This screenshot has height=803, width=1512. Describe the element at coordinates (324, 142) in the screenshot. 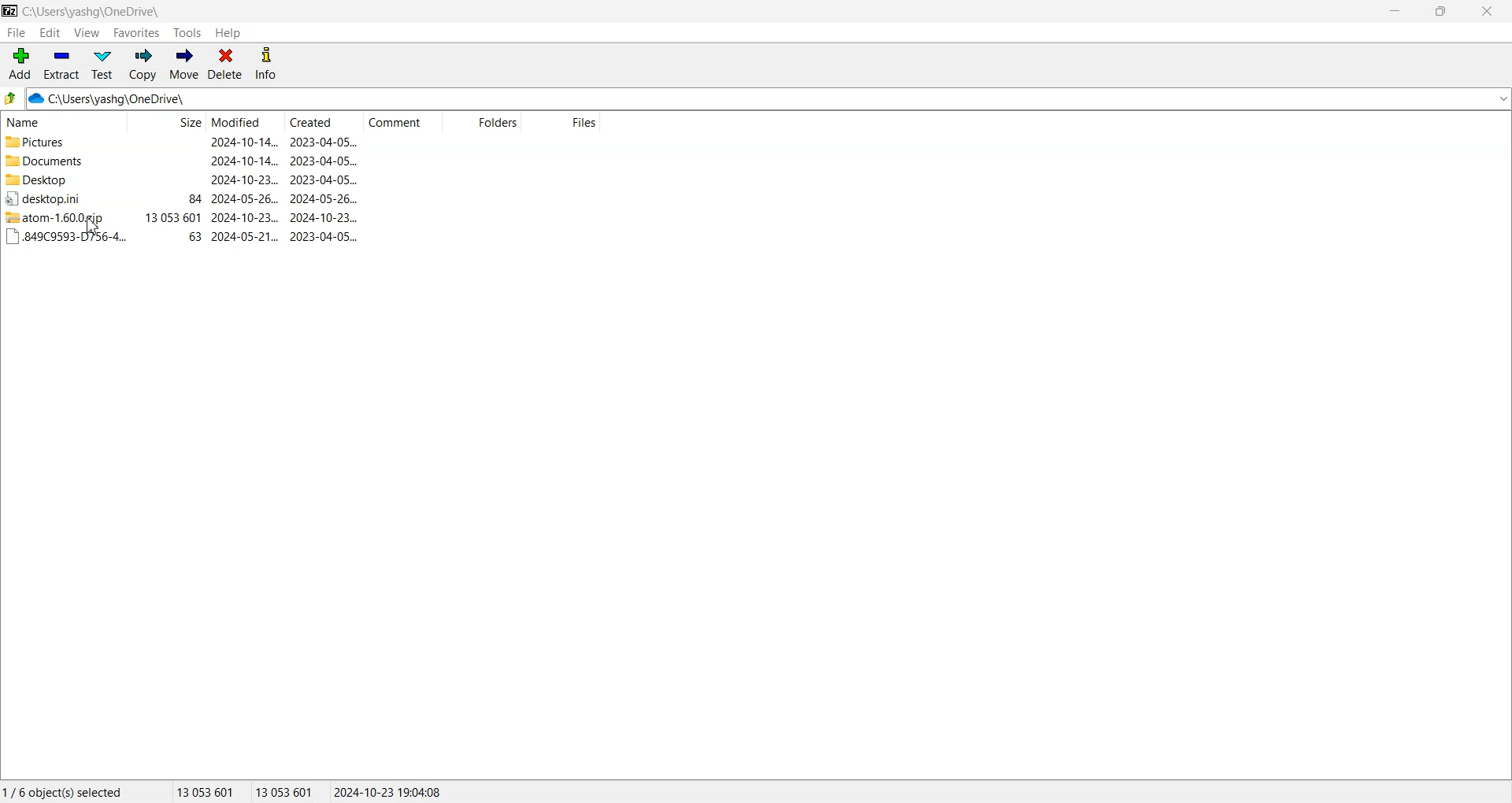

I see `2023-04-05` at that location.